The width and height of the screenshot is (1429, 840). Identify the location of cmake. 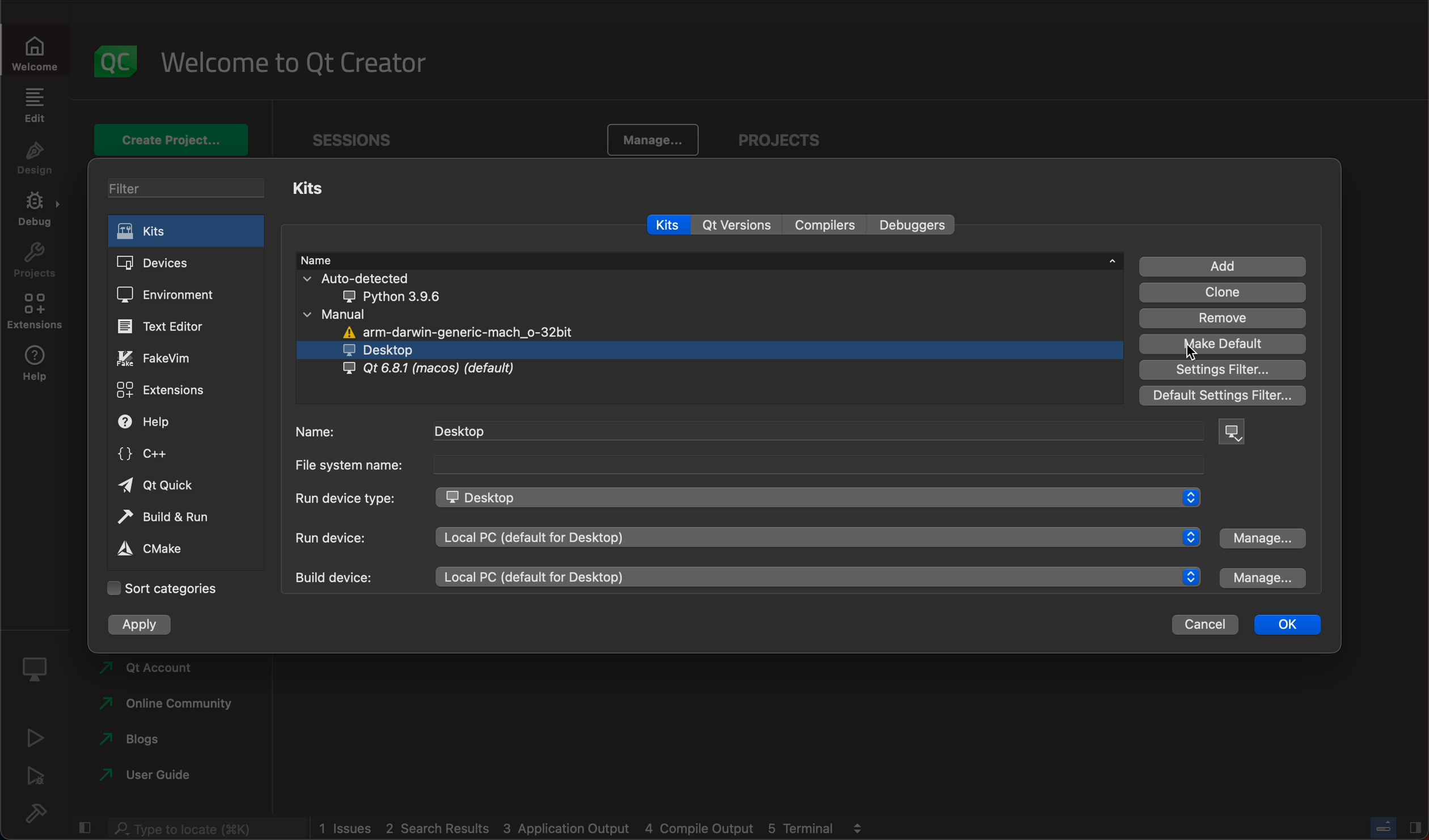
(151, 548).